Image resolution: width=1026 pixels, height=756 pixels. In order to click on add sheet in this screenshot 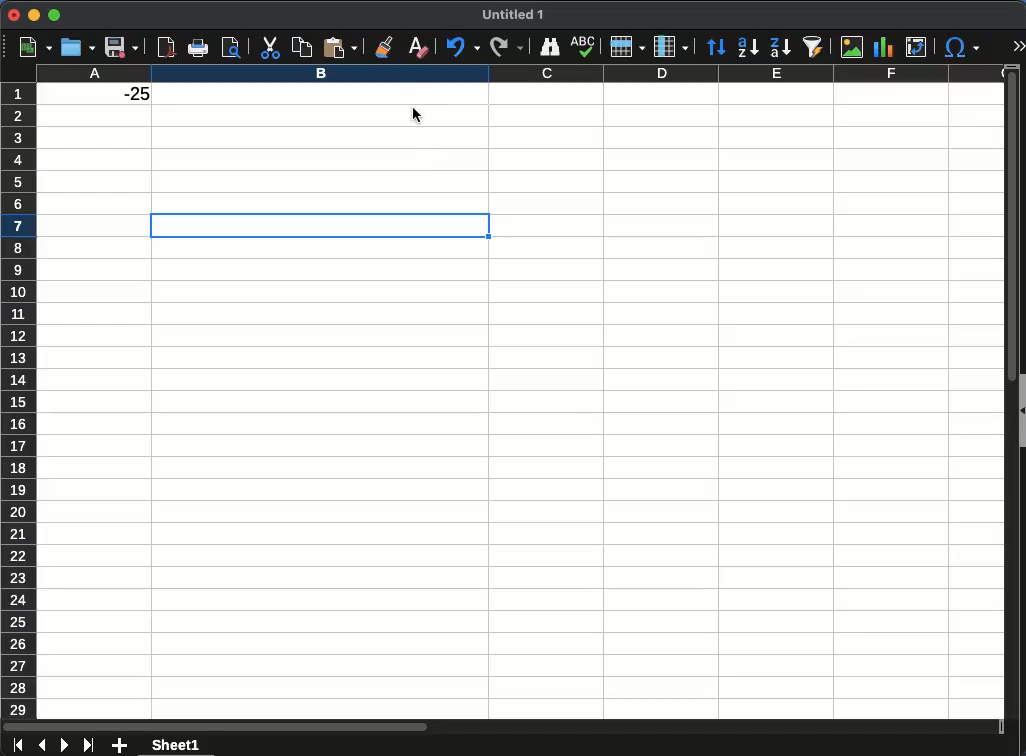, I will do `click(120, 744)`.